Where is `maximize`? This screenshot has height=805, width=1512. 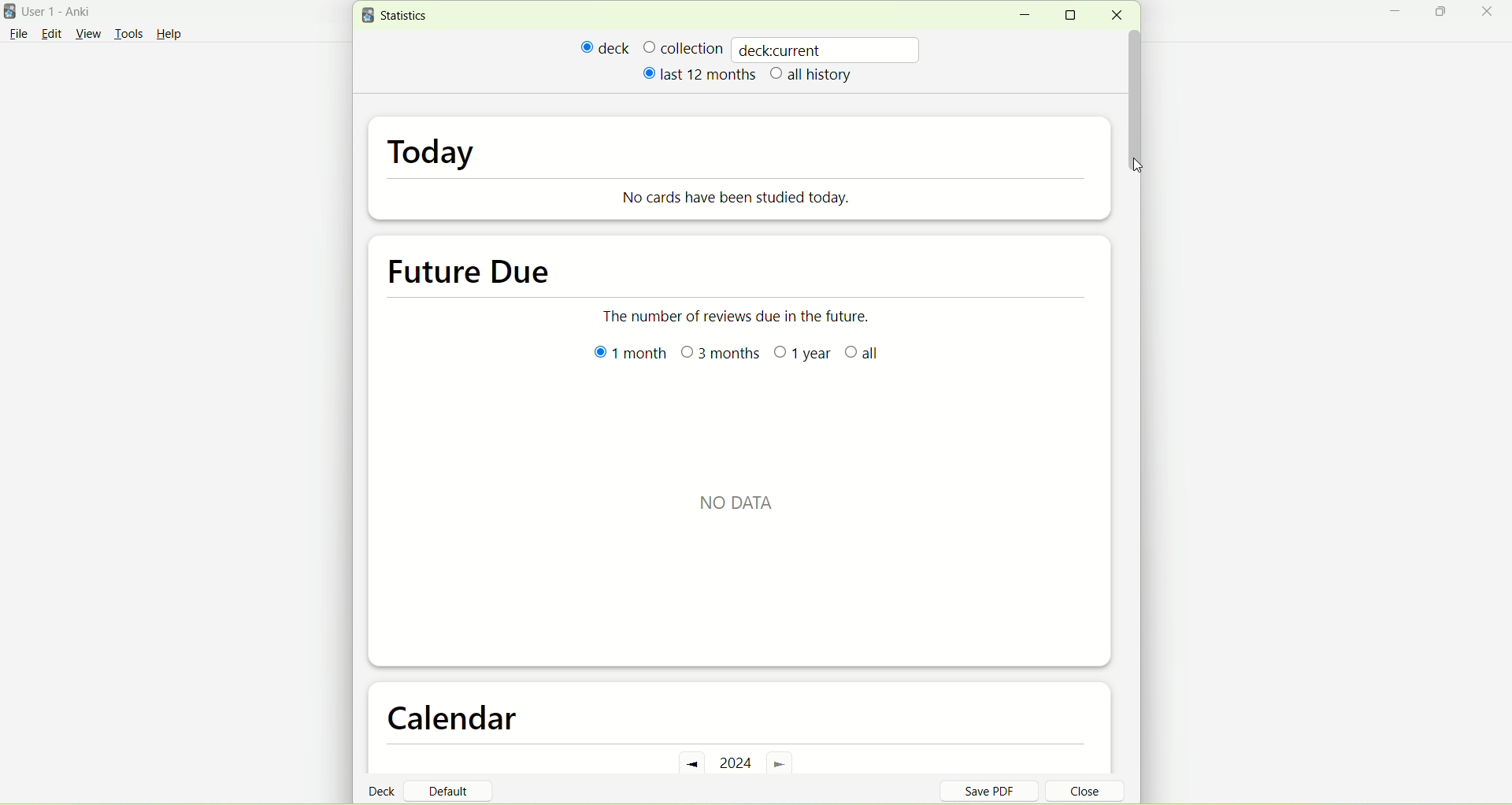
maximize is located at coordinates (1076, 15).